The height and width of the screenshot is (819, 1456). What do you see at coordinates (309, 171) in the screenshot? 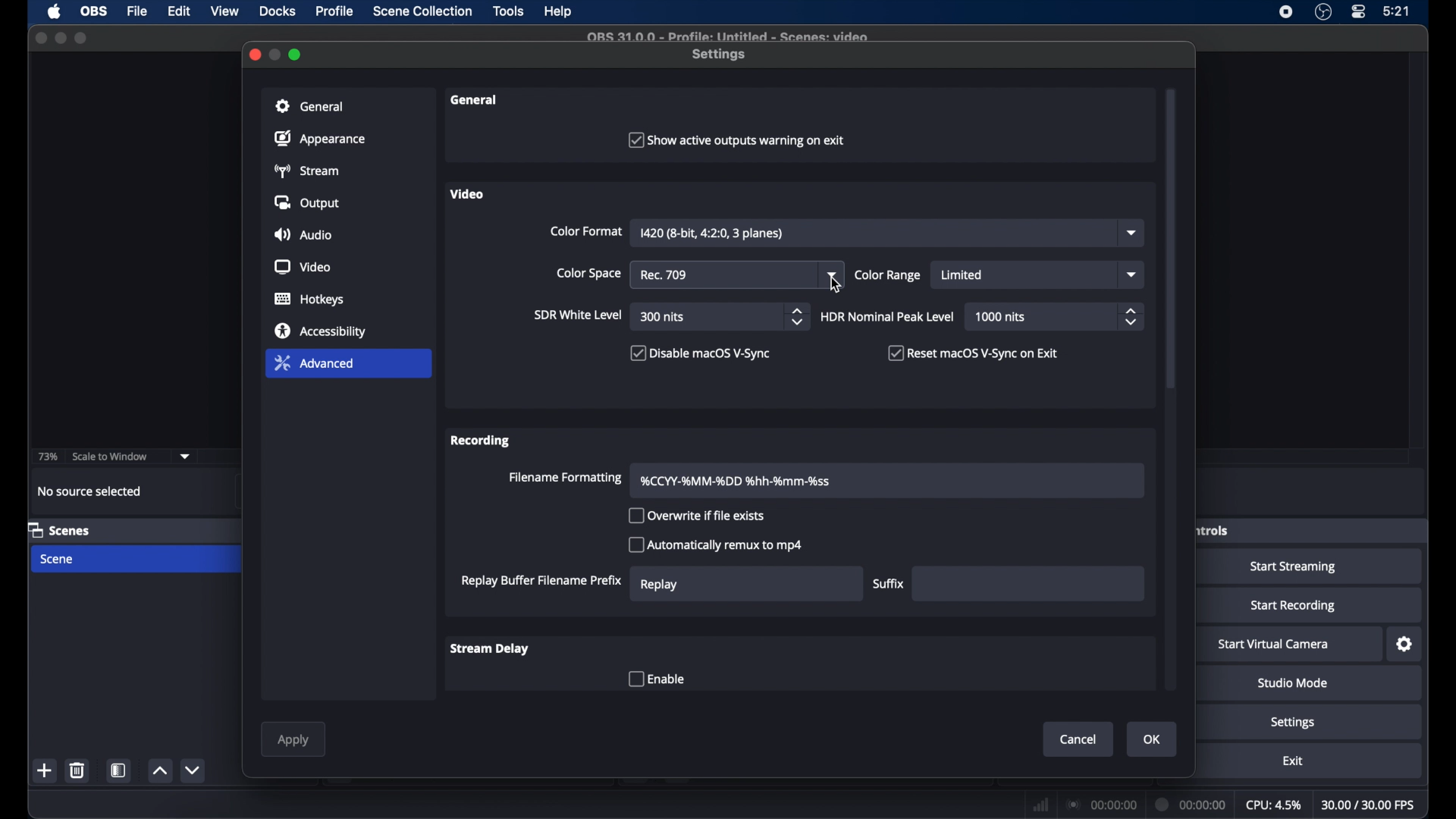
I see `stream` at bounding box center [309, 171].